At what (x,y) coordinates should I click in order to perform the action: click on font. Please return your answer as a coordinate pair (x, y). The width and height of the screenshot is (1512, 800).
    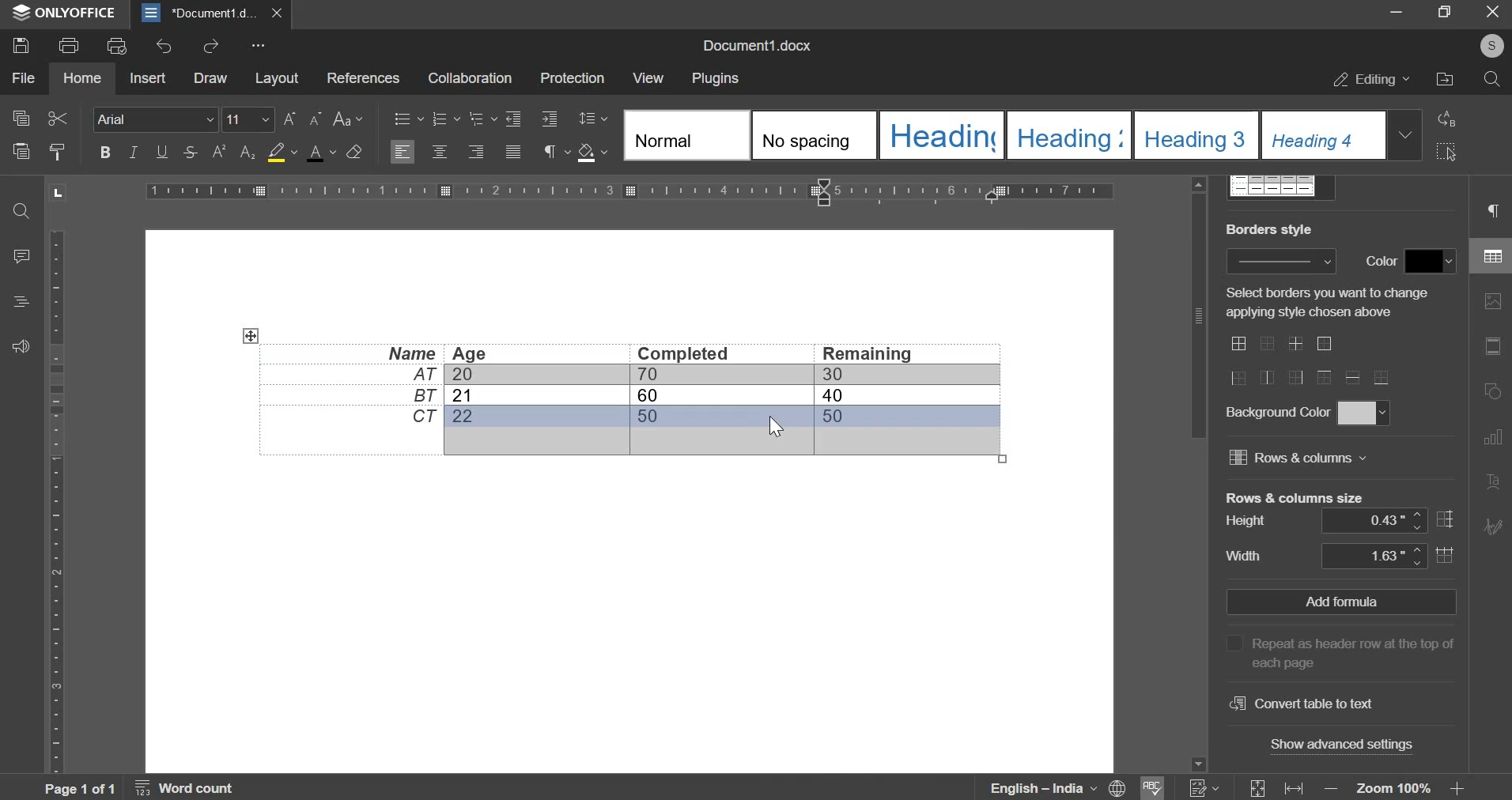
    Looking at the image, I should click on (155, 119).